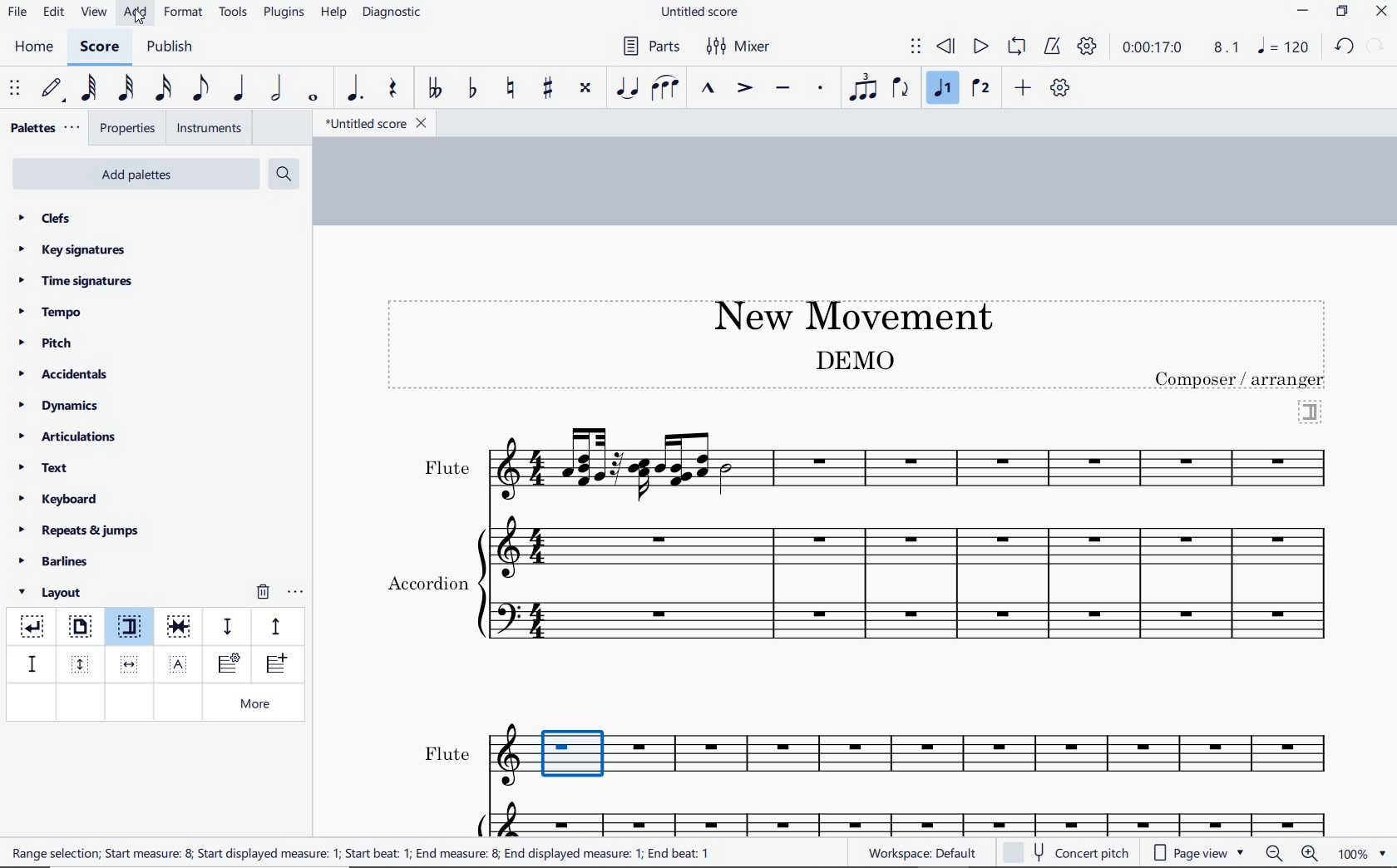 The height and width of the screenshot is (868, 1397). I want to click on tempo, so click(55, 311).